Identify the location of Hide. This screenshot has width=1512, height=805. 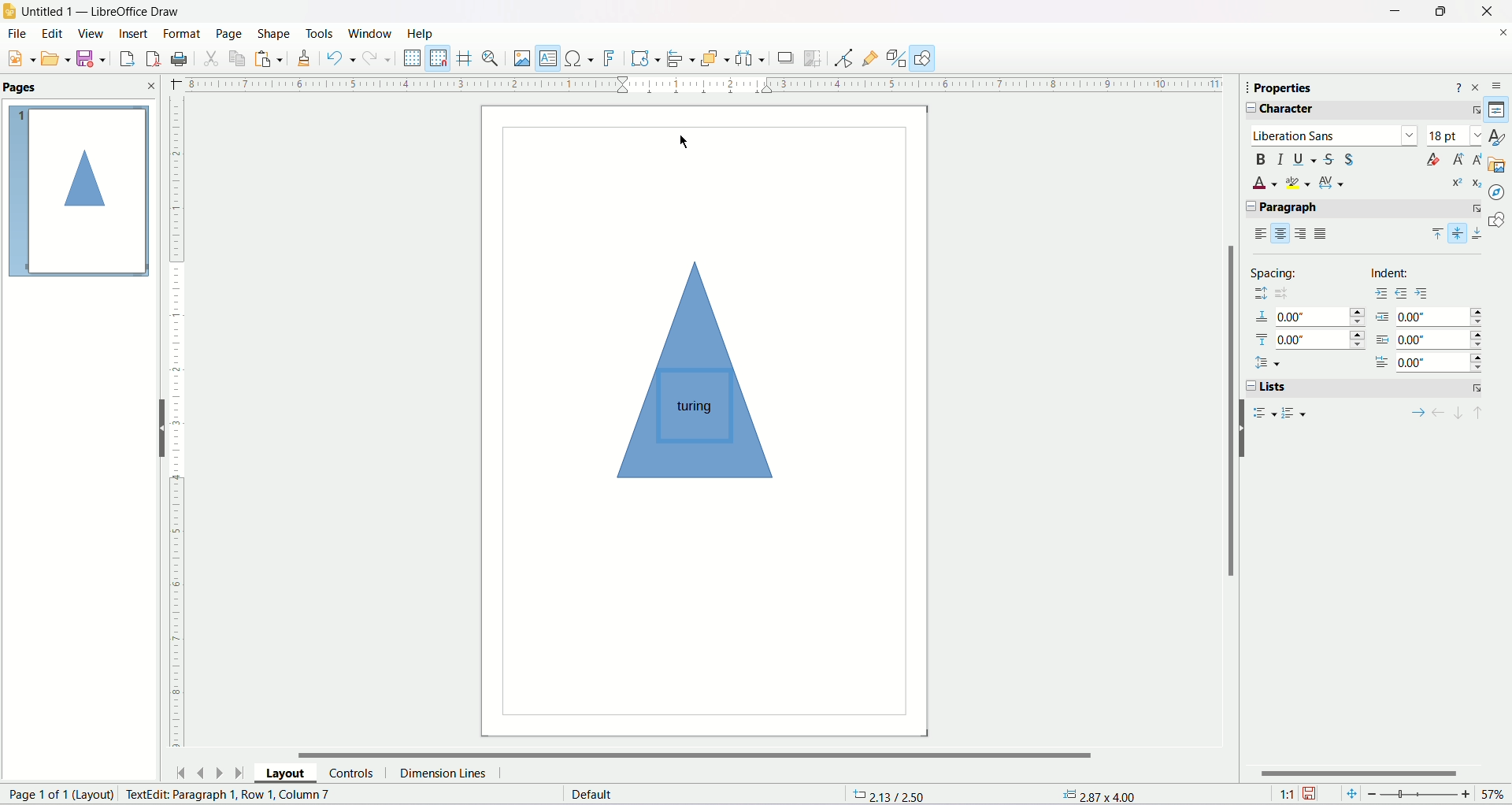
(1246, 427).